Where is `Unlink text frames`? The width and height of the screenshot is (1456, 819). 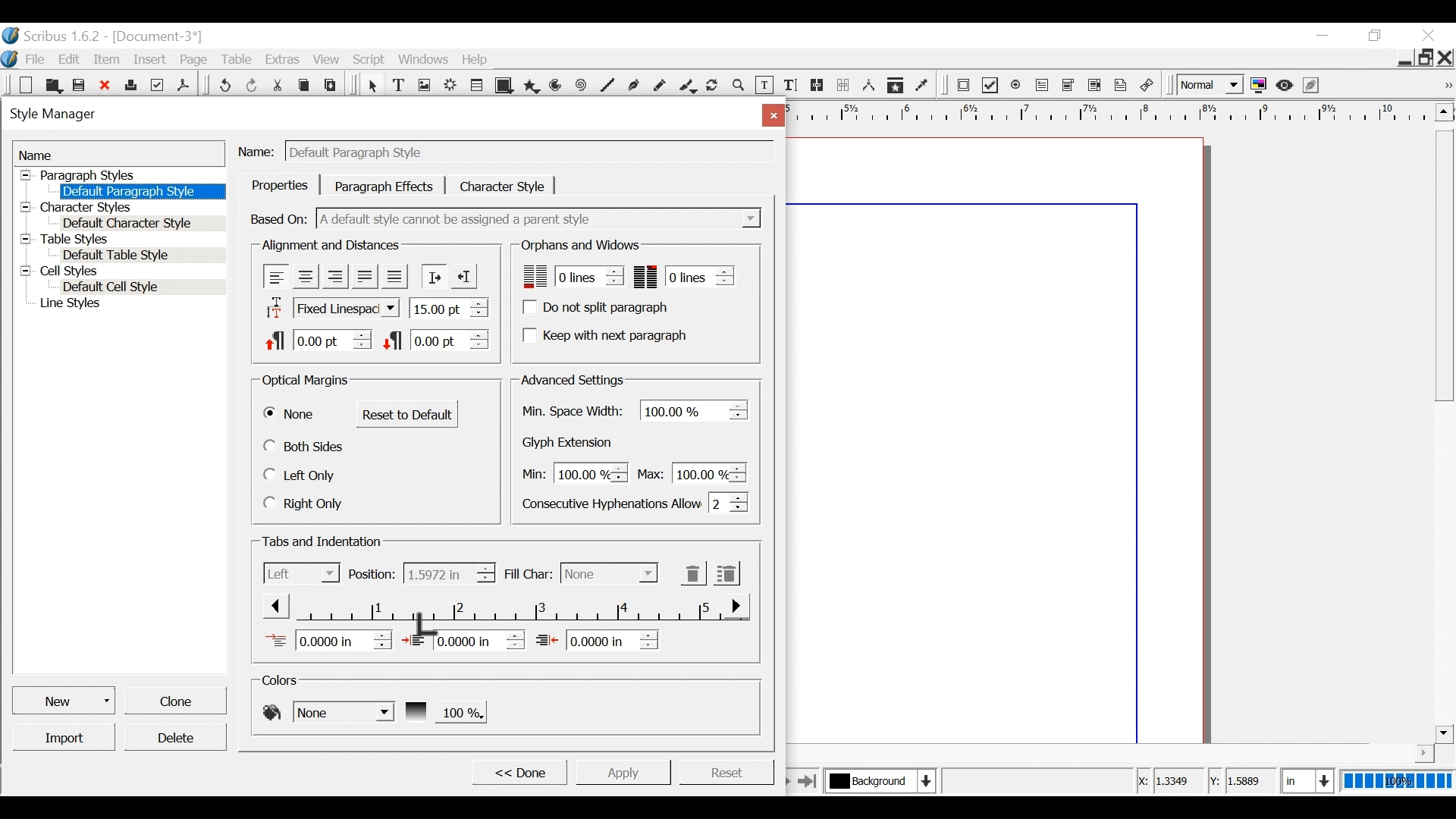 Unlink text frames is located at coordinates (843, 85).